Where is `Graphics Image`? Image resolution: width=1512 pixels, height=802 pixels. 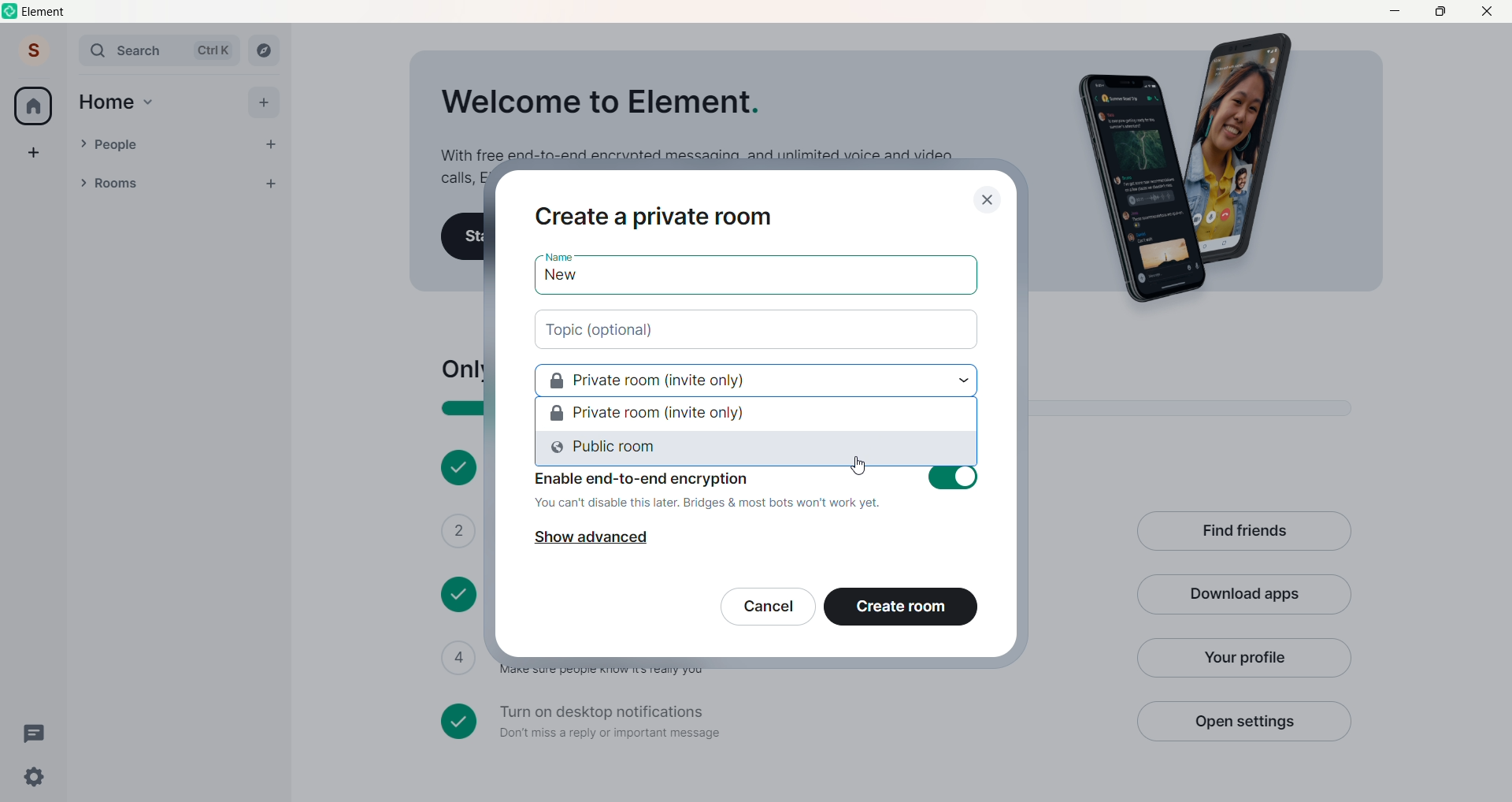 Graphics Image is located at coordinates (1194, 169).